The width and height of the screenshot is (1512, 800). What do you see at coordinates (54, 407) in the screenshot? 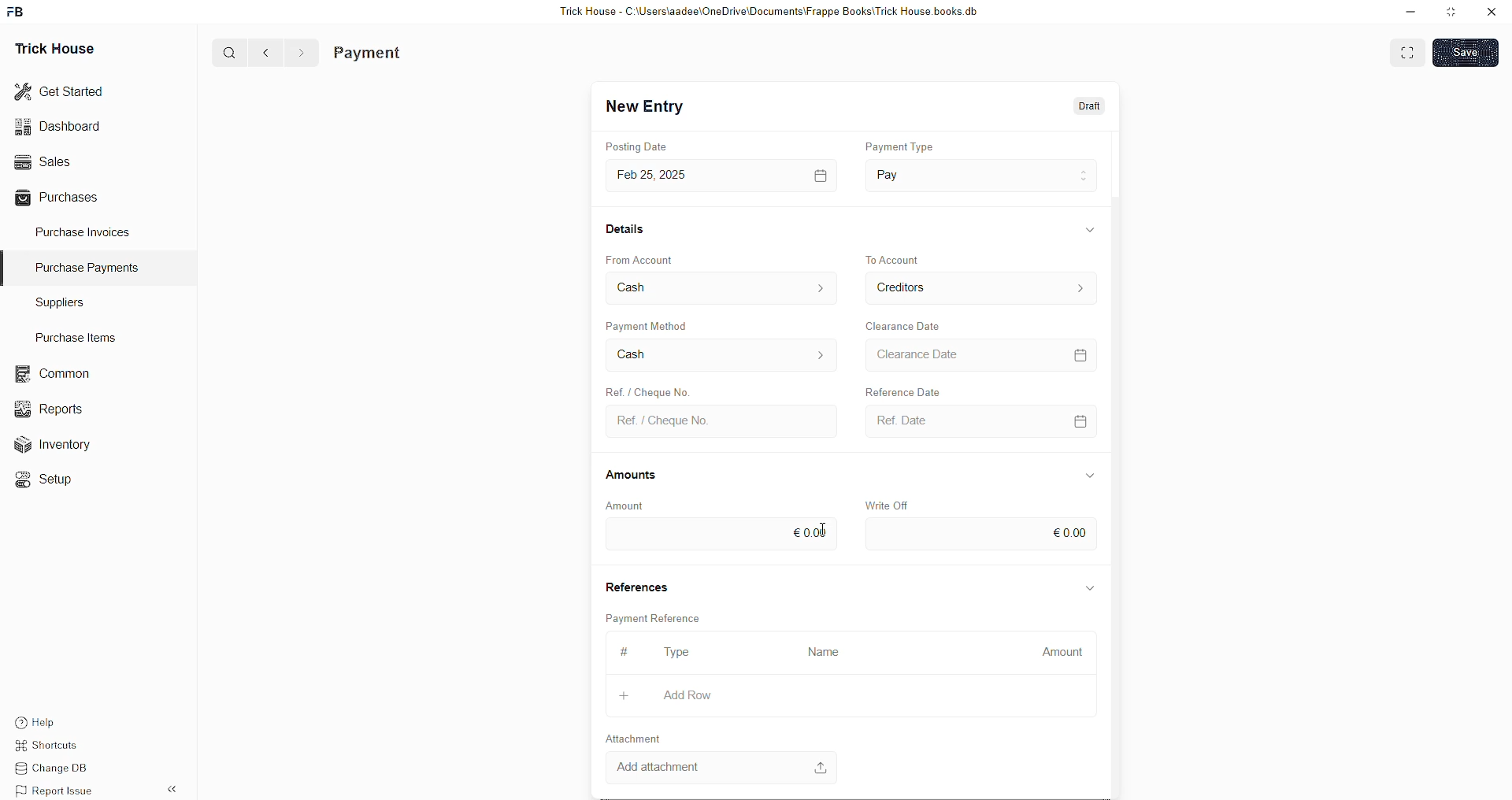
I see `Reports` at bounding box center [54, 407].